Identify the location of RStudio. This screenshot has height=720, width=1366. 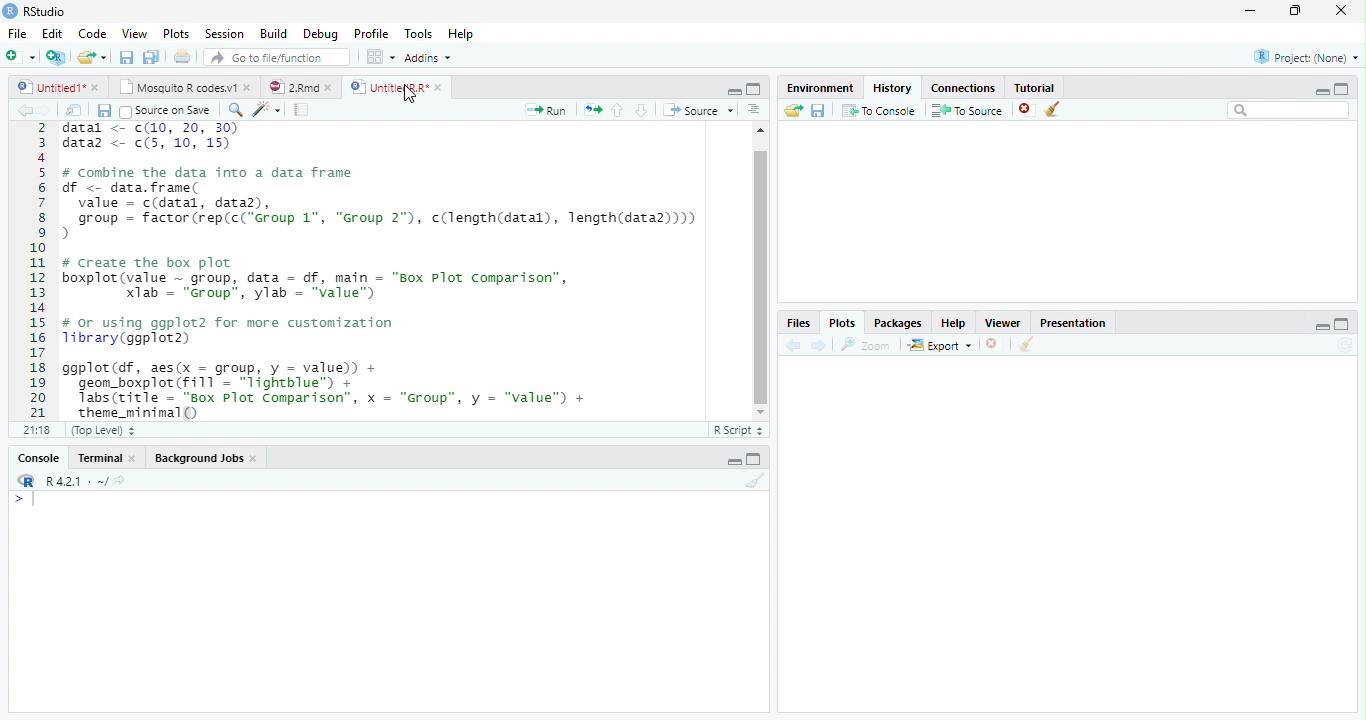
(35, 12).